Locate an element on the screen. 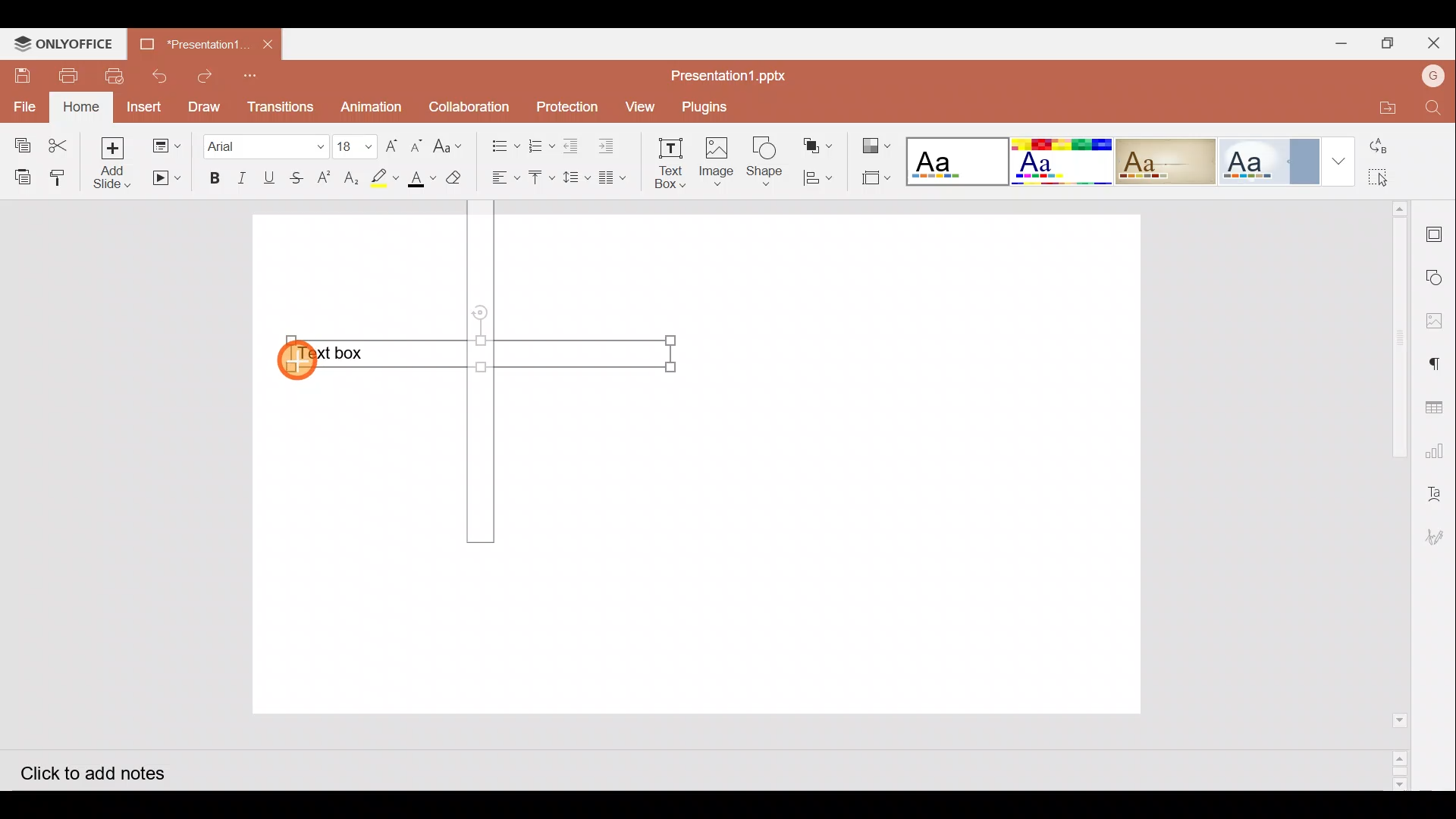  Underline is located at coordinates (269, 177).